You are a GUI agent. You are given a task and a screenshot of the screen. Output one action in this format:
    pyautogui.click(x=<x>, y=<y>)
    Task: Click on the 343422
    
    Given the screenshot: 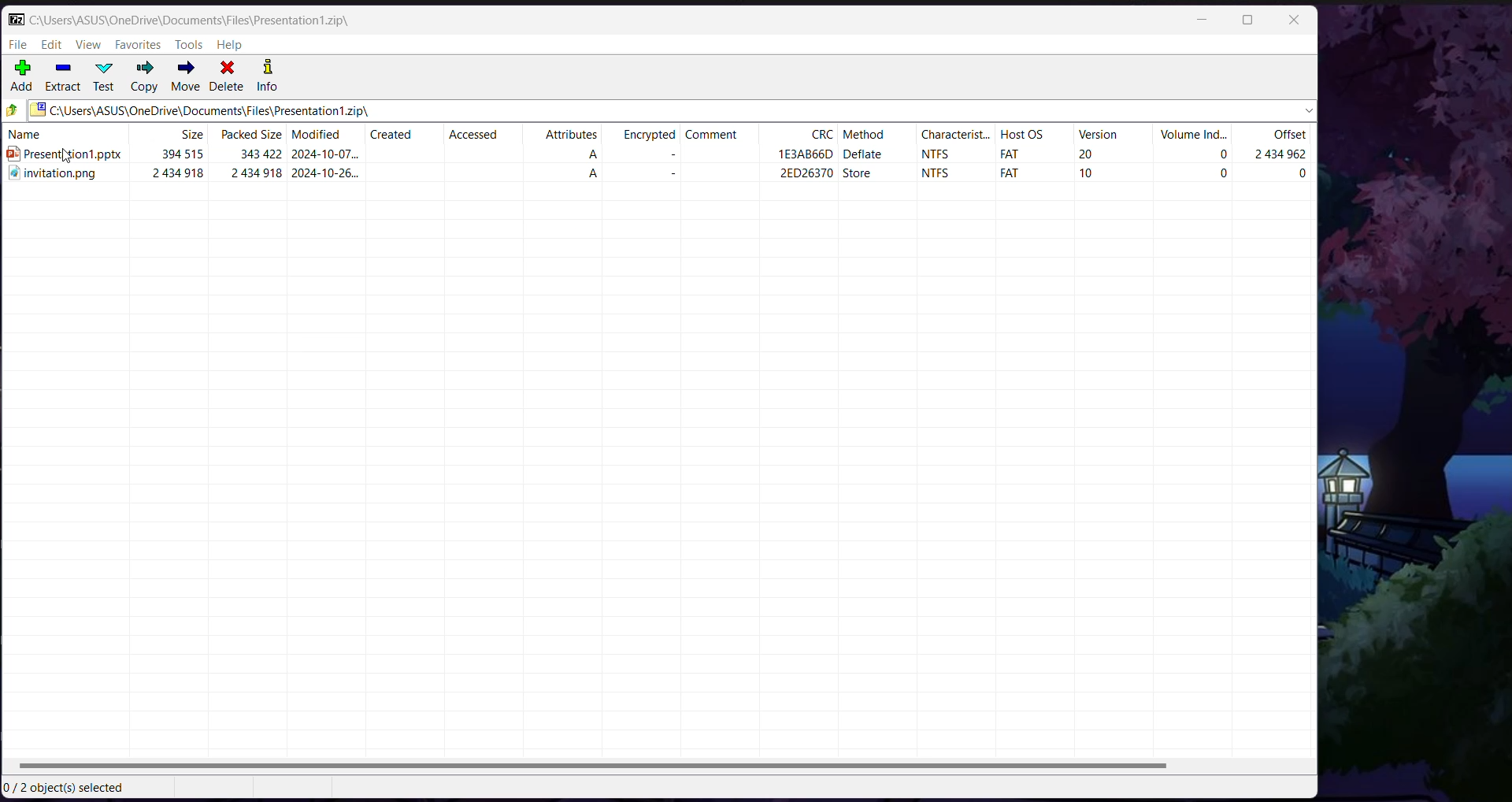 What is the action you would take?
    pyautogui.click(x=259, y=154)
    